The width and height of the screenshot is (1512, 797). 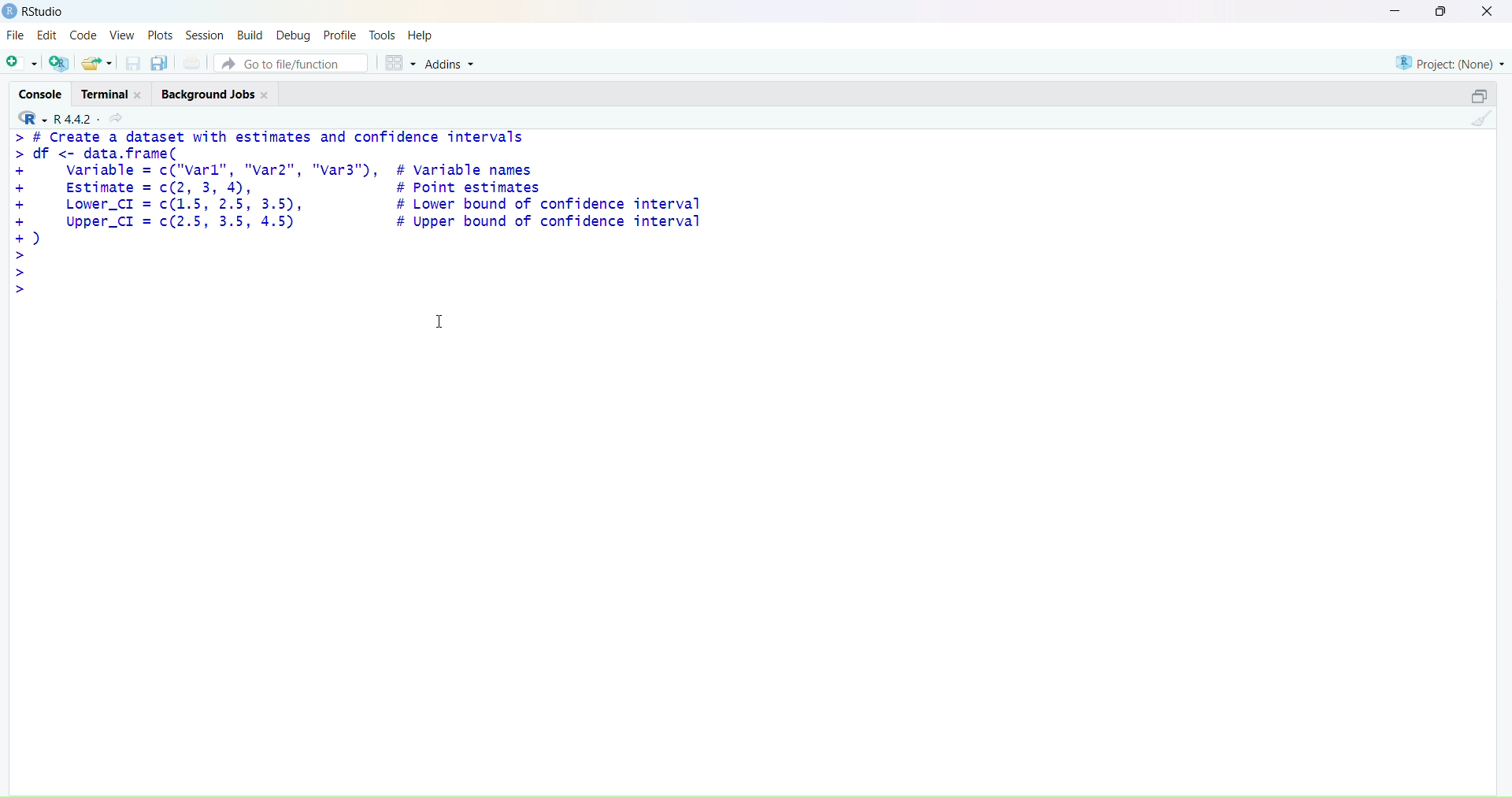 What do you see at coordinates (1481, 94) in the screenshot?
I see `maximize` at bounding box center [1481, 94].